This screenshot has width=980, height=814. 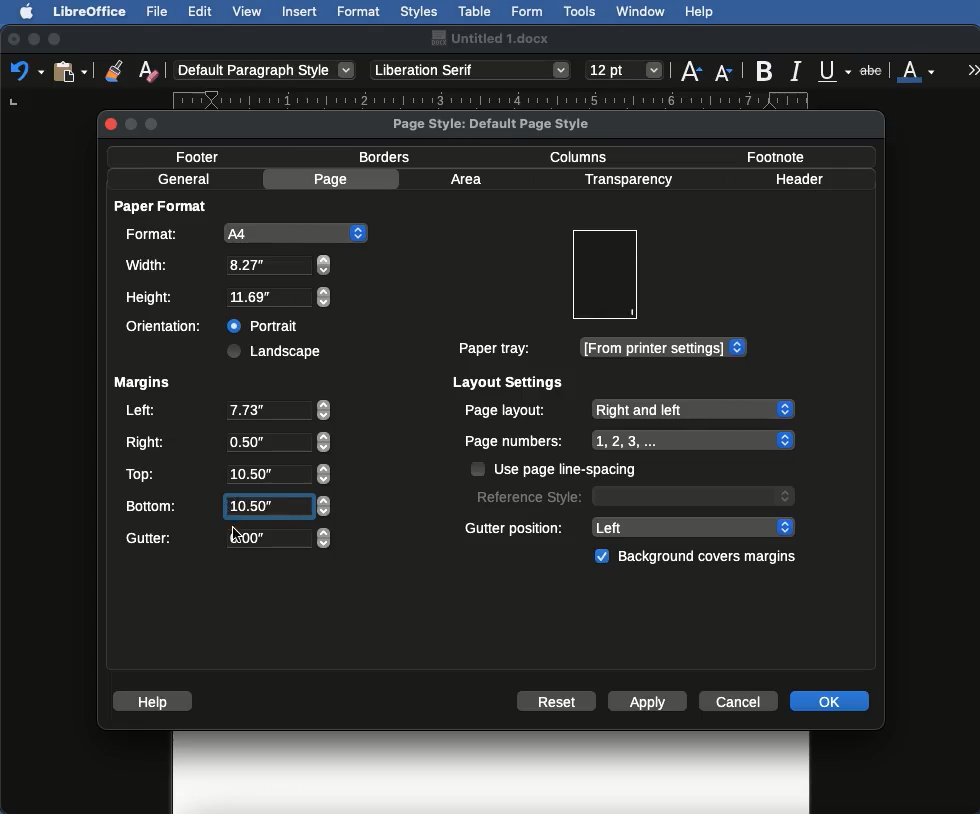 What do you see at coordinates (114, 70) in the screenshot?
I see `Clone formatting` at bounding box center [114, 70].